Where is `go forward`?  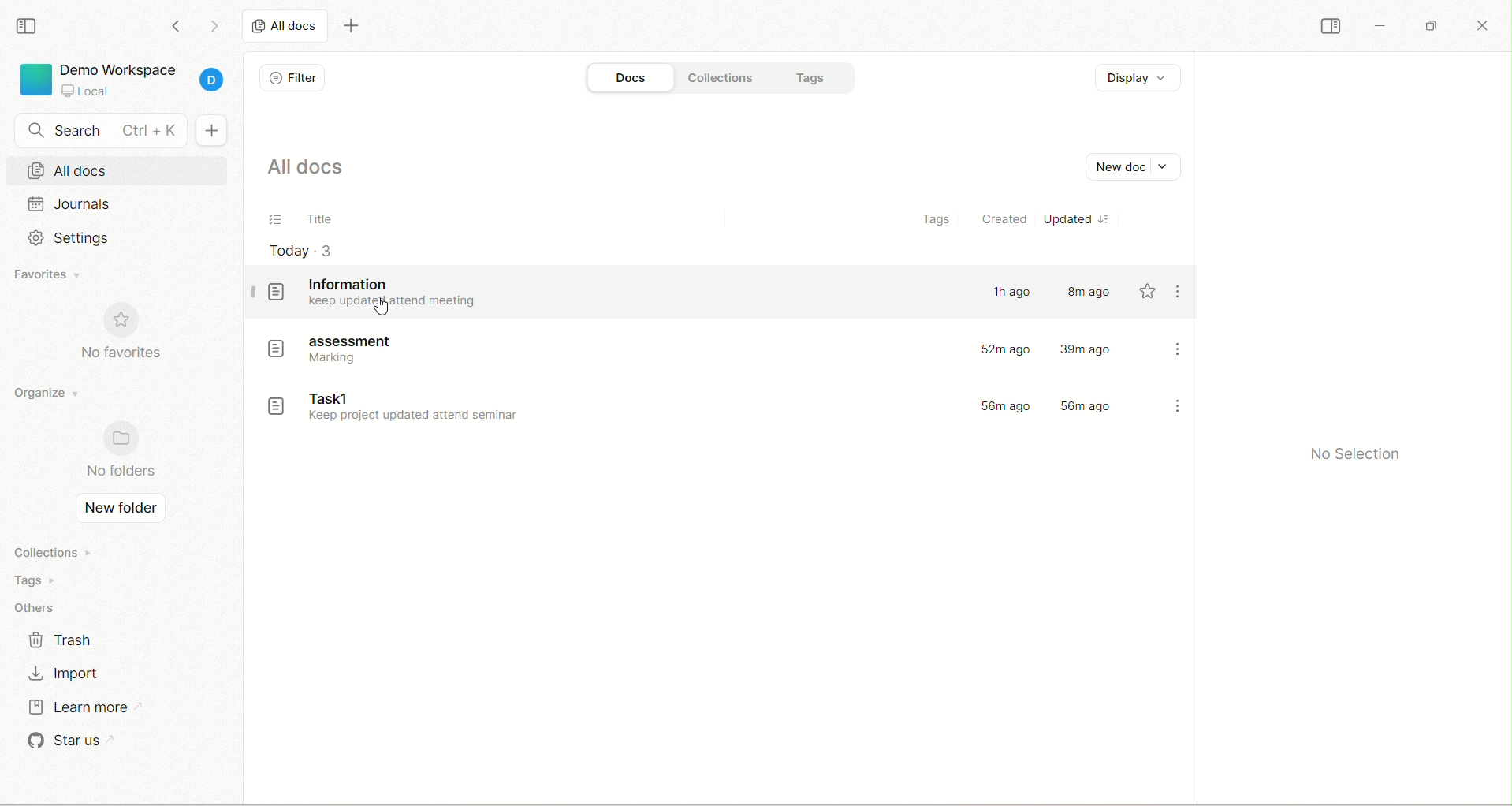 go forward is located at coordinates (210, 27).